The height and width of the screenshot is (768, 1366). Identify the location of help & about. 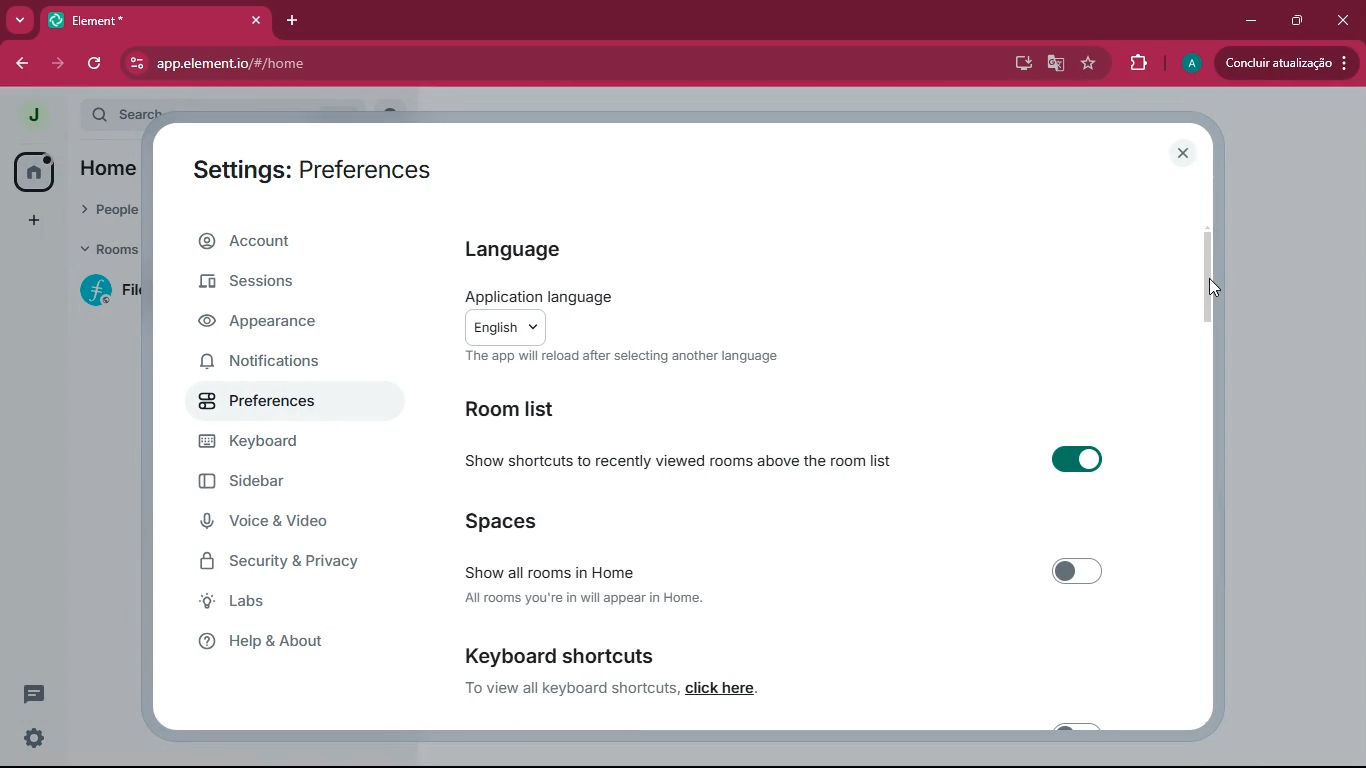
(284, 642).